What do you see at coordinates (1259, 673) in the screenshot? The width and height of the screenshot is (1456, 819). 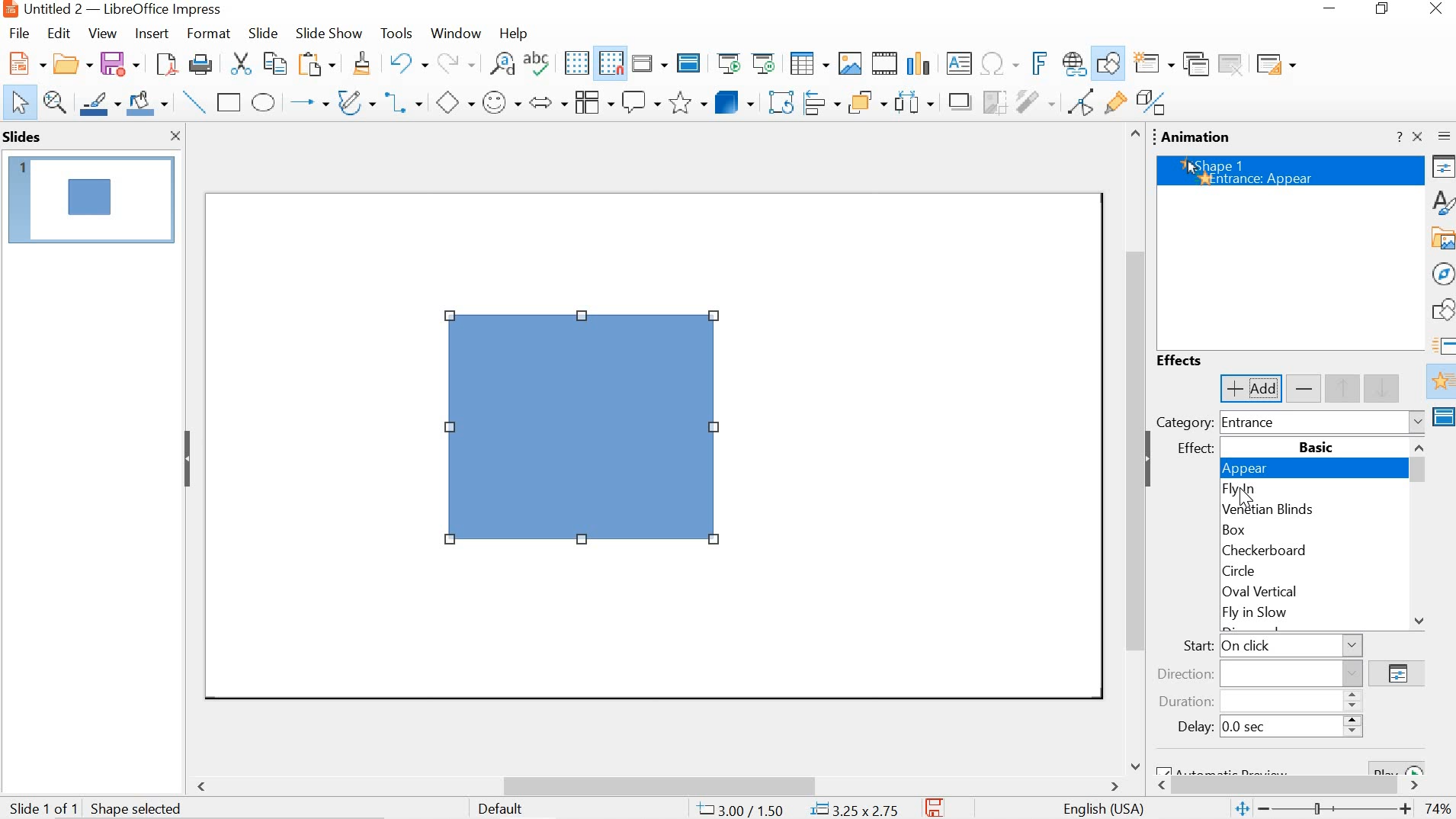 I see `direction` at bounding box center [1259, 673].